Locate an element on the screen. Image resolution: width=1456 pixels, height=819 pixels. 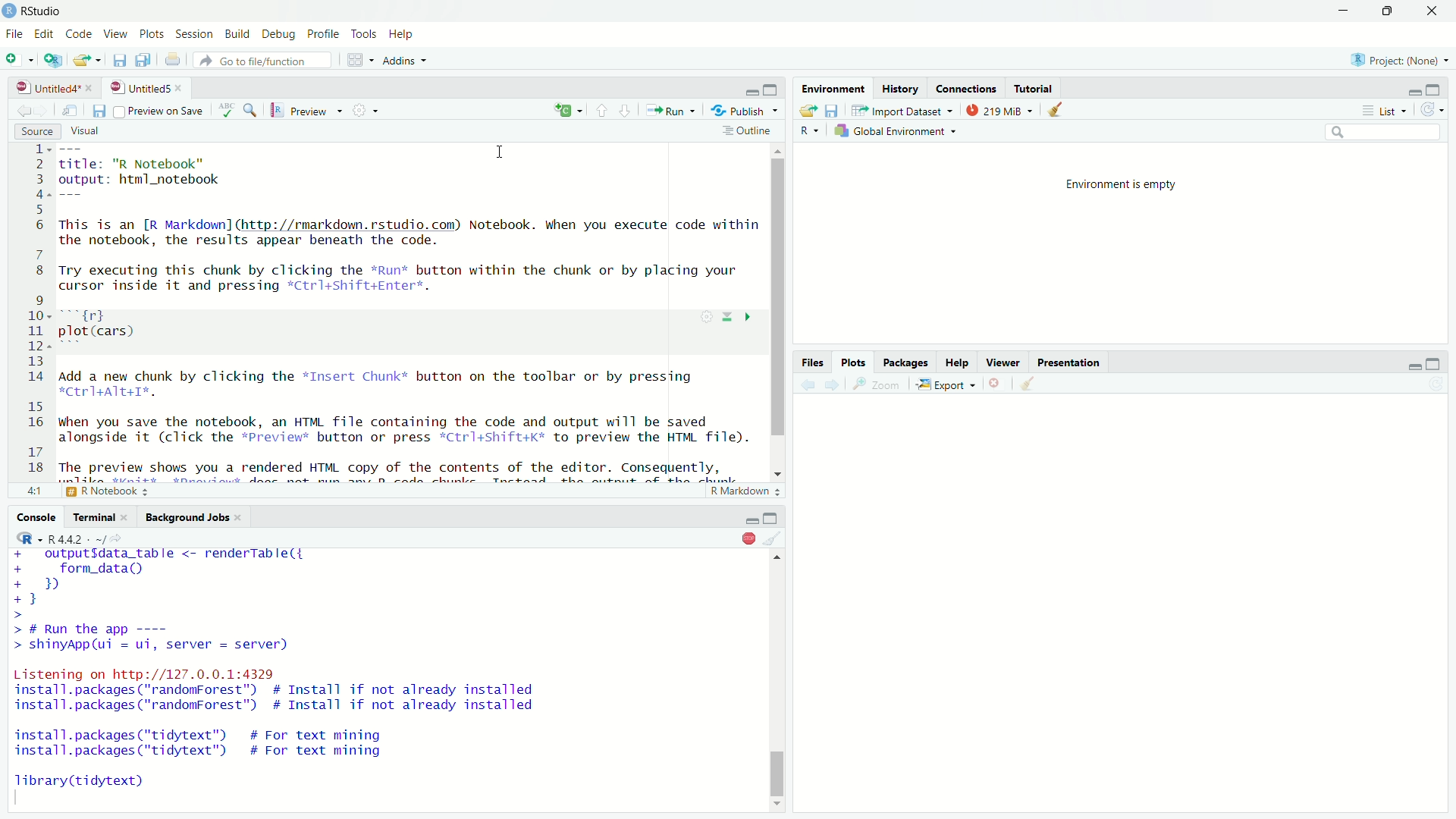
Export as is located at coordinates (948, 386).